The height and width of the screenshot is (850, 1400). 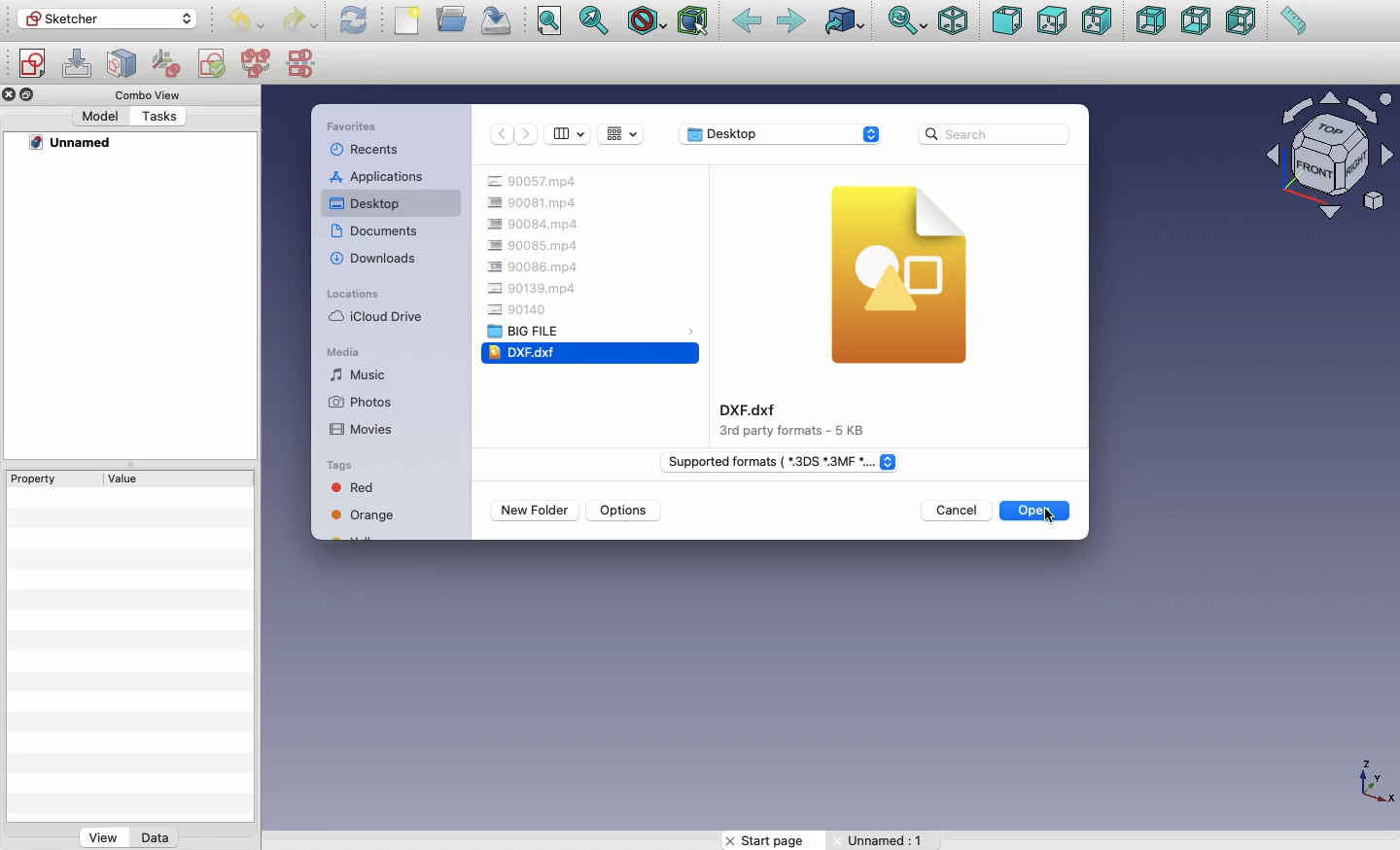 I want to click on Edit sketch, so click(x=78, y=61).